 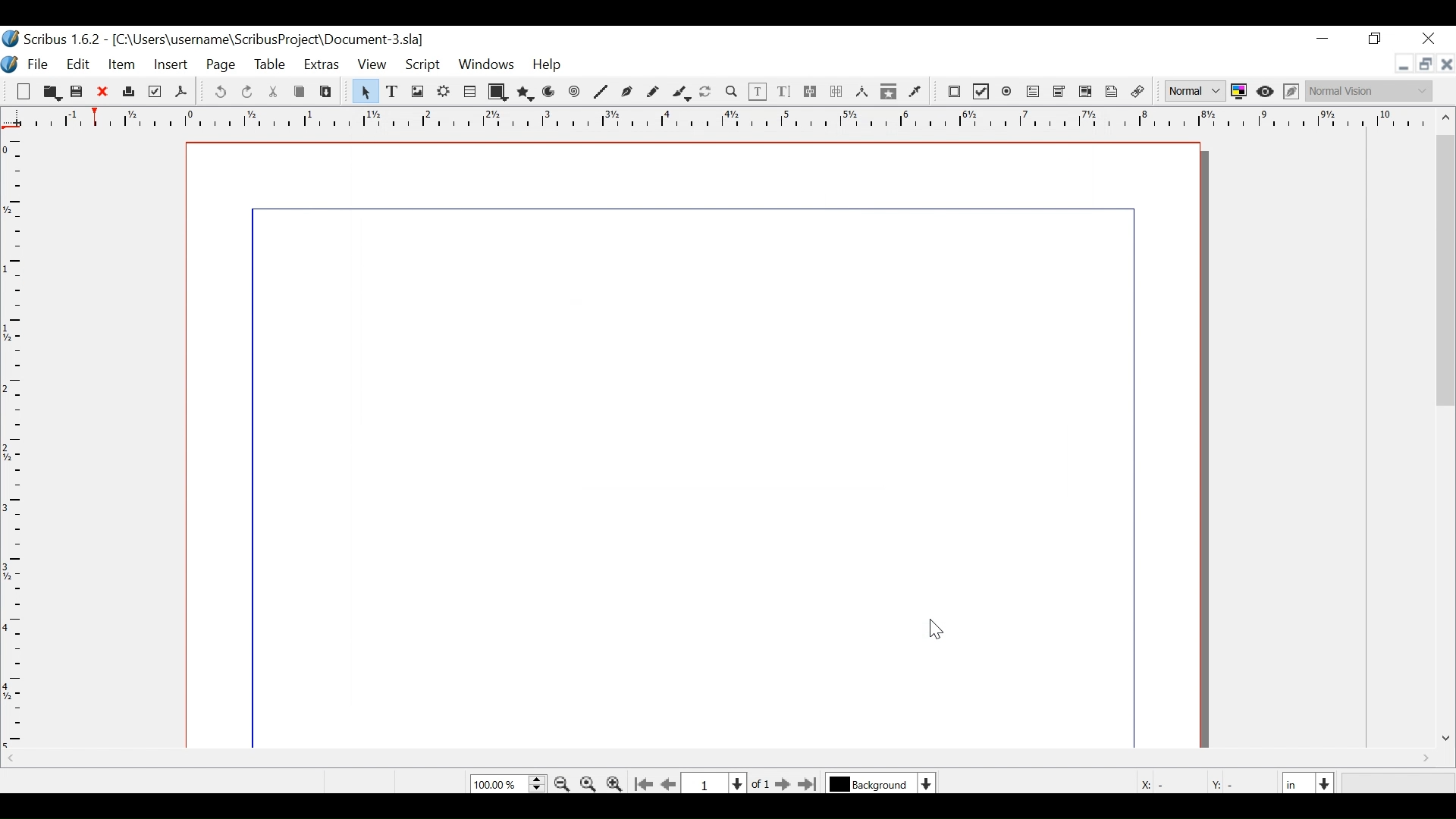 What do you see at coordinates (1325, 781) in the screenshot?
I see `` at bounding box center [1325, 781].